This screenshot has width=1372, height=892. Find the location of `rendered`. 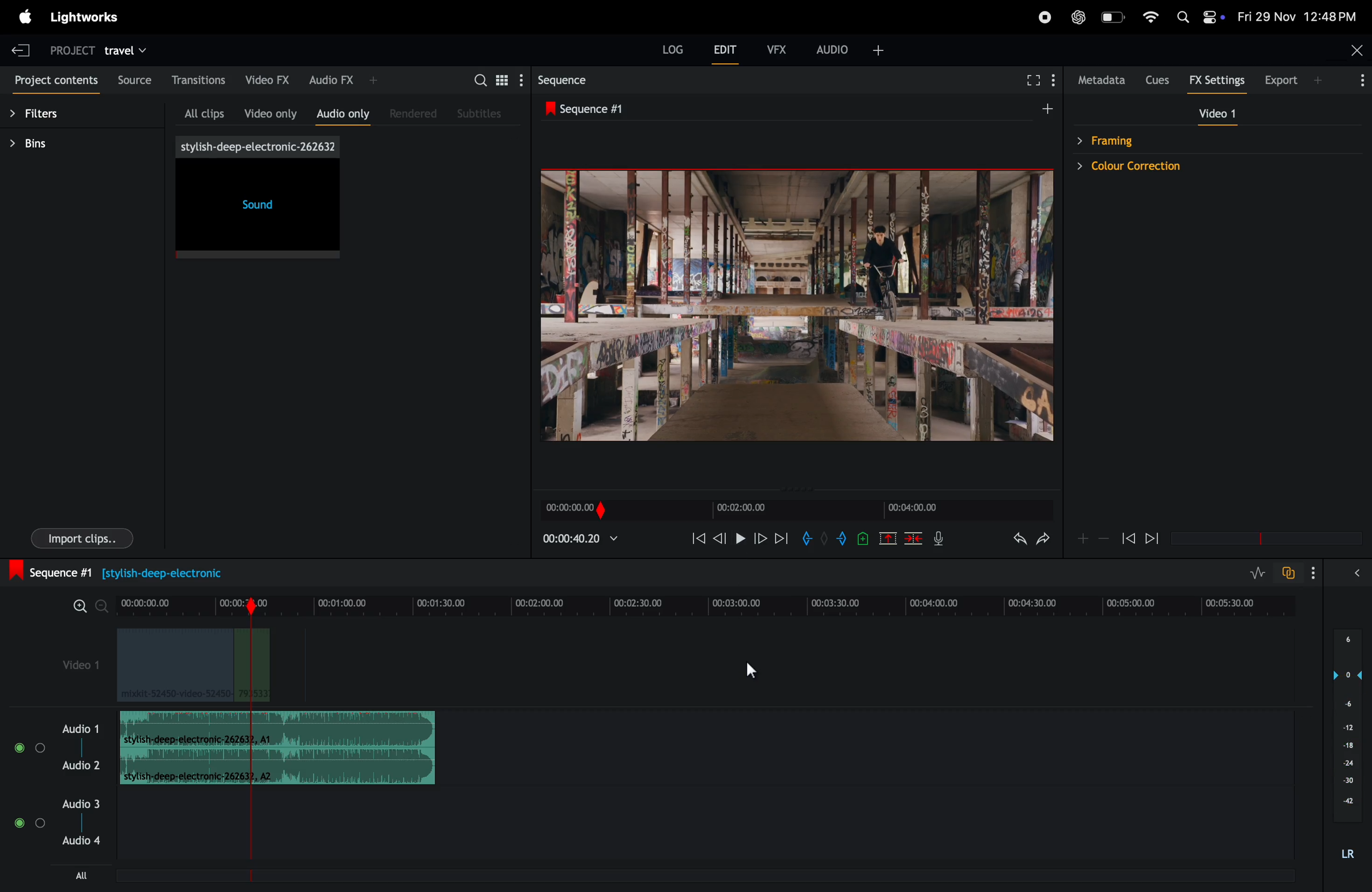

rendered is located at coordinates (416, 113).